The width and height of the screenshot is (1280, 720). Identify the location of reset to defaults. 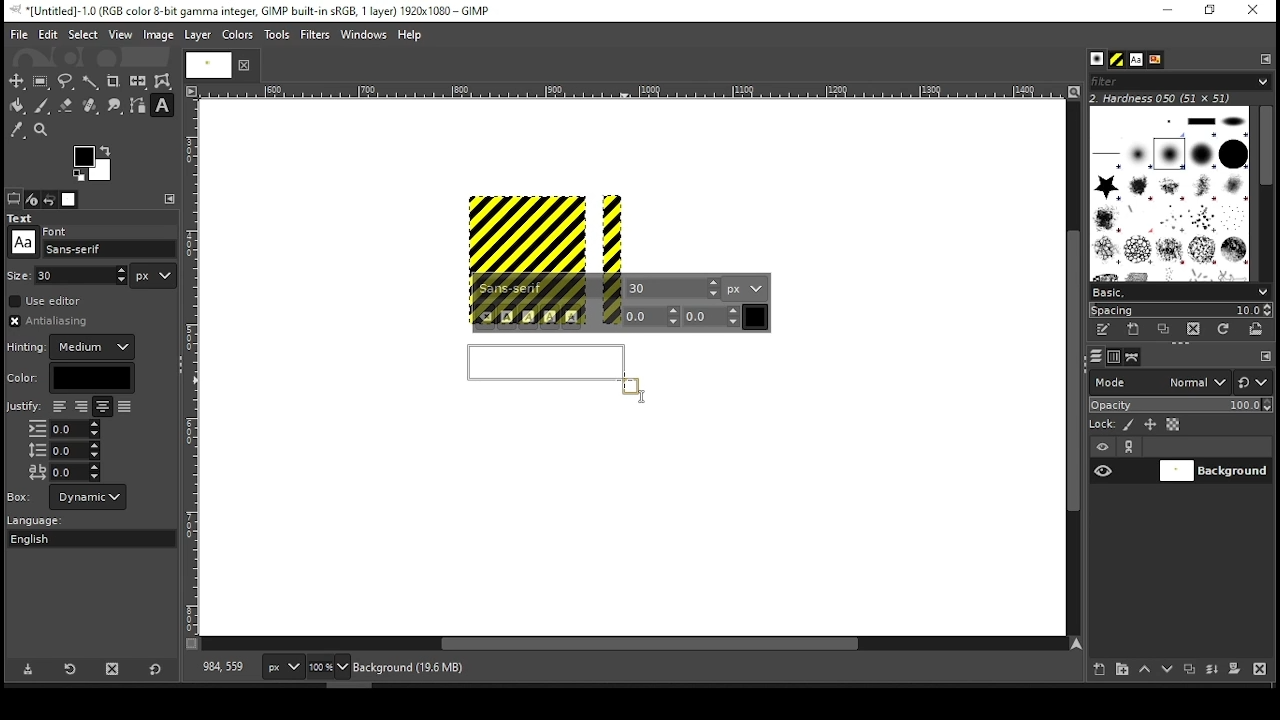
(156, 670).